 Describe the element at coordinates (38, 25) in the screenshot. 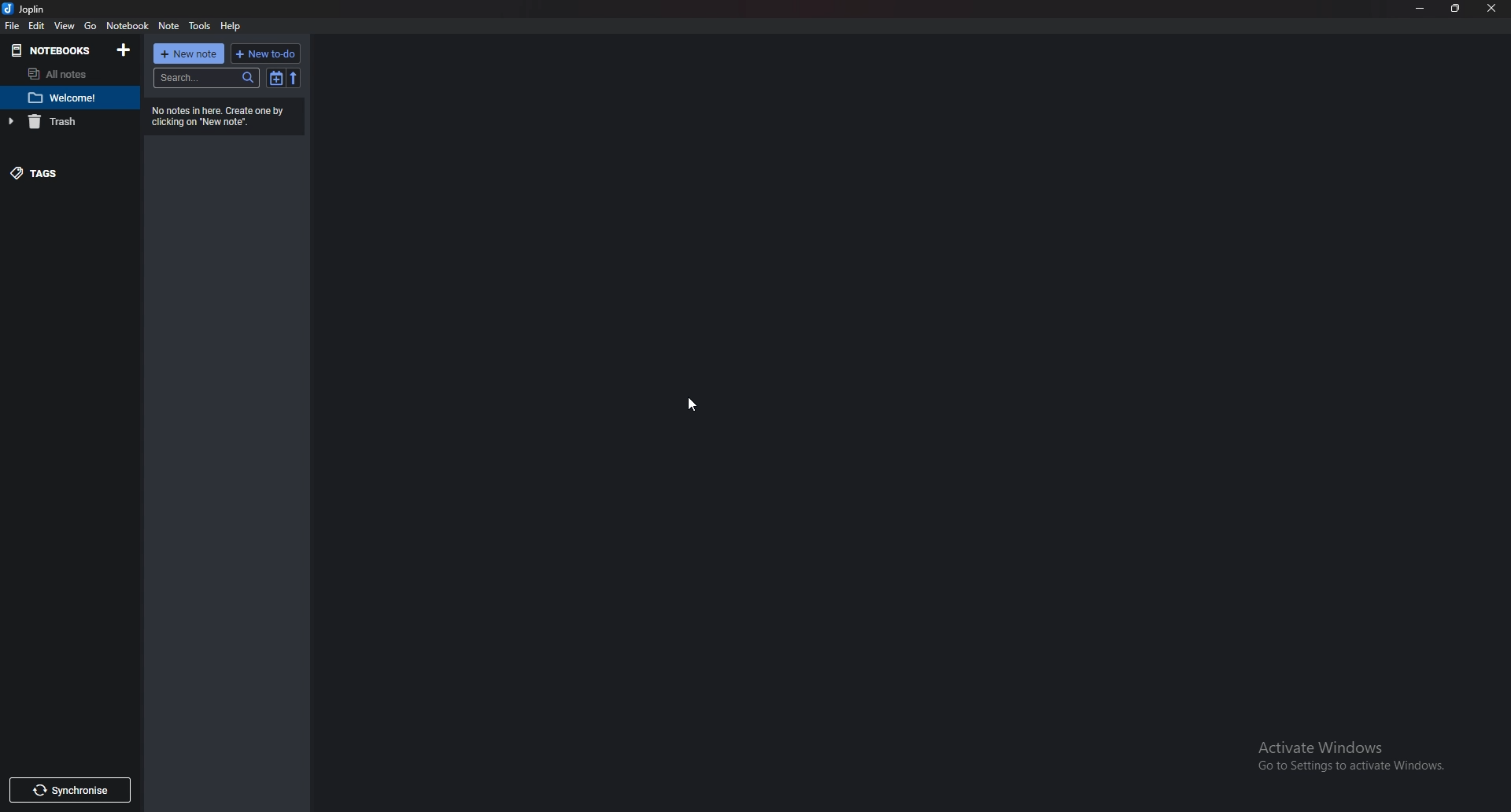

I see `edit` at that location.